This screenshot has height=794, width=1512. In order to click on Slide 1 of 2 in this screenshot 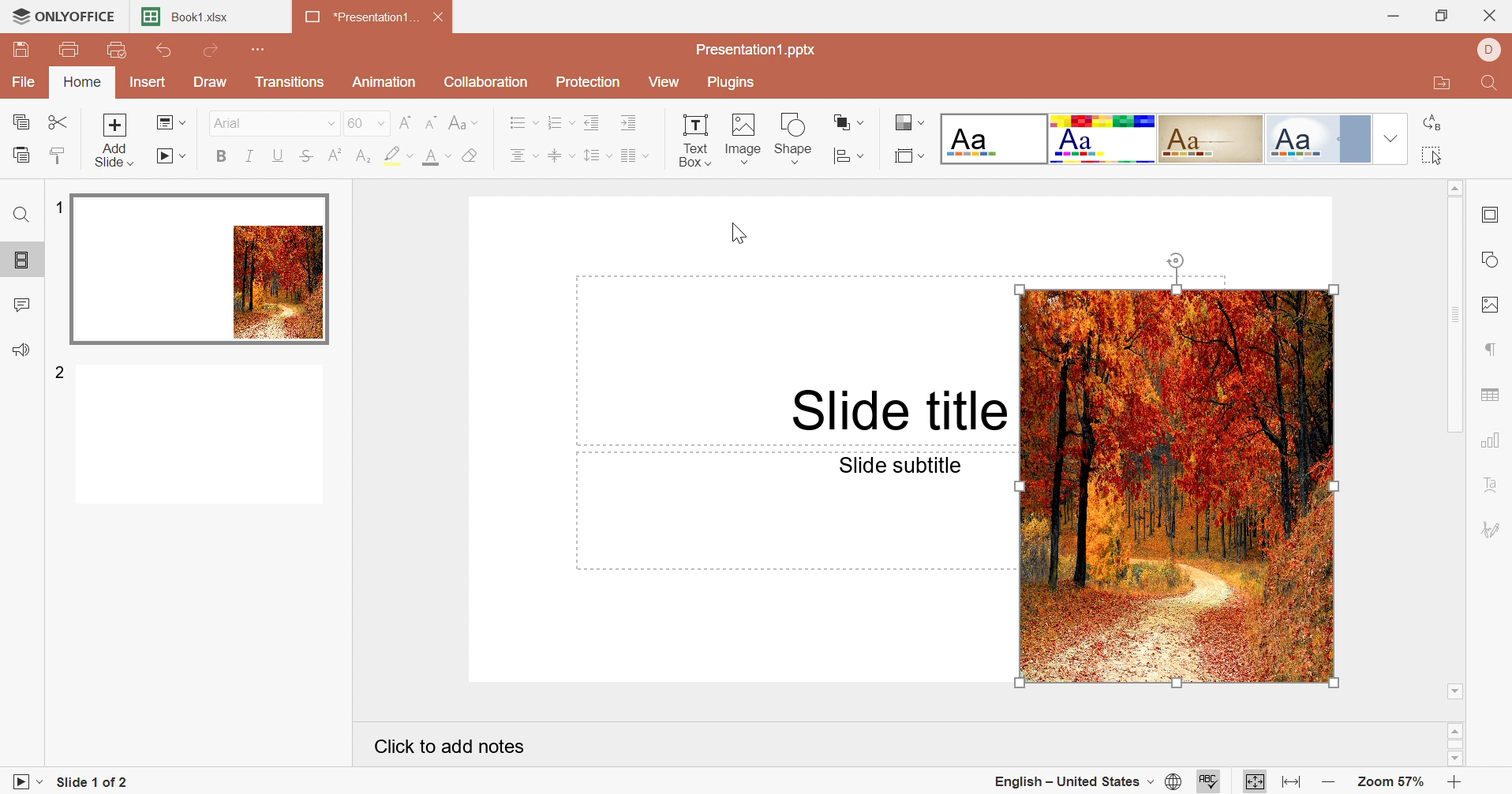, I will do `click(98, 783)`.